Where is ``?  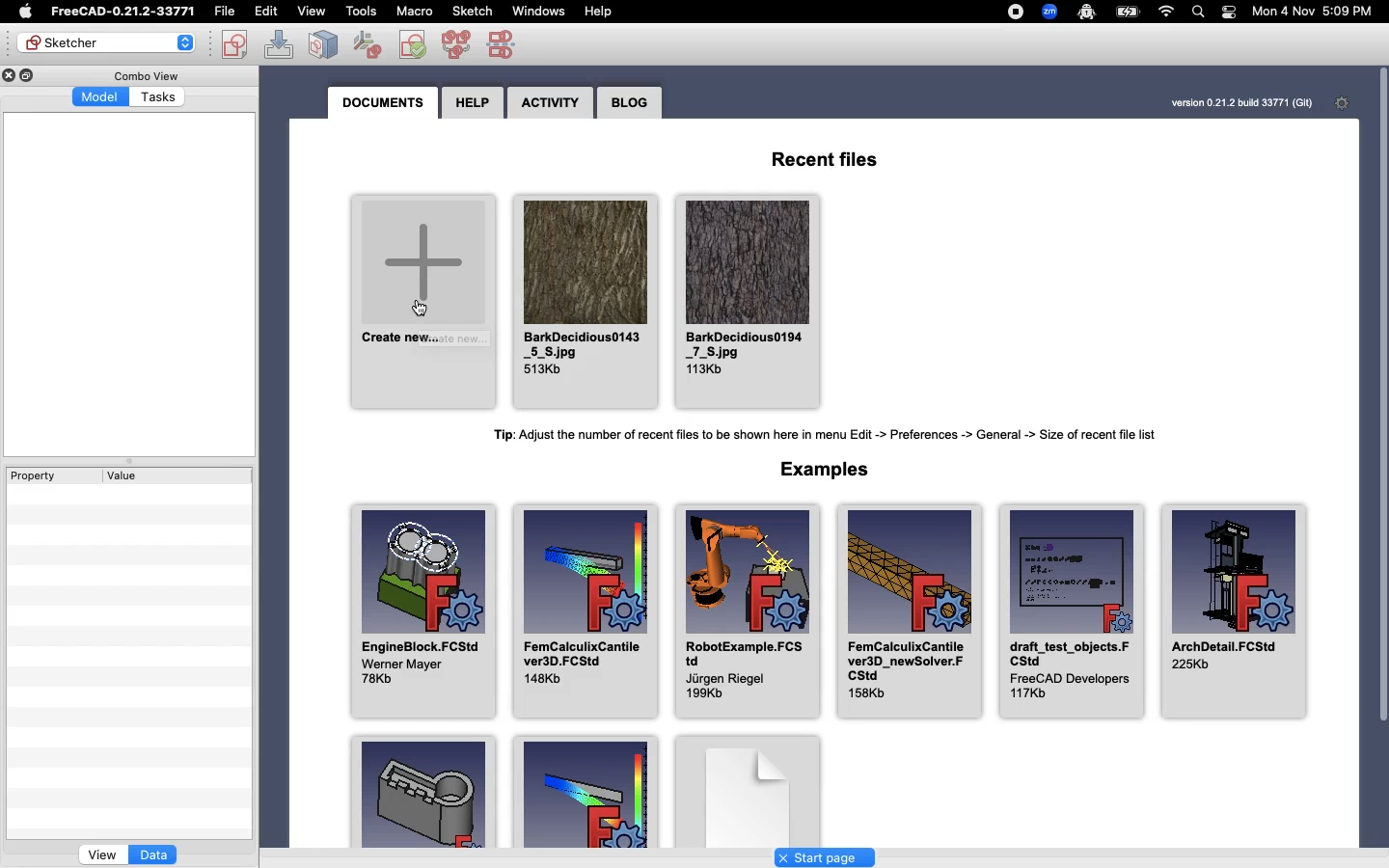  is located at coordinates (309, 12).